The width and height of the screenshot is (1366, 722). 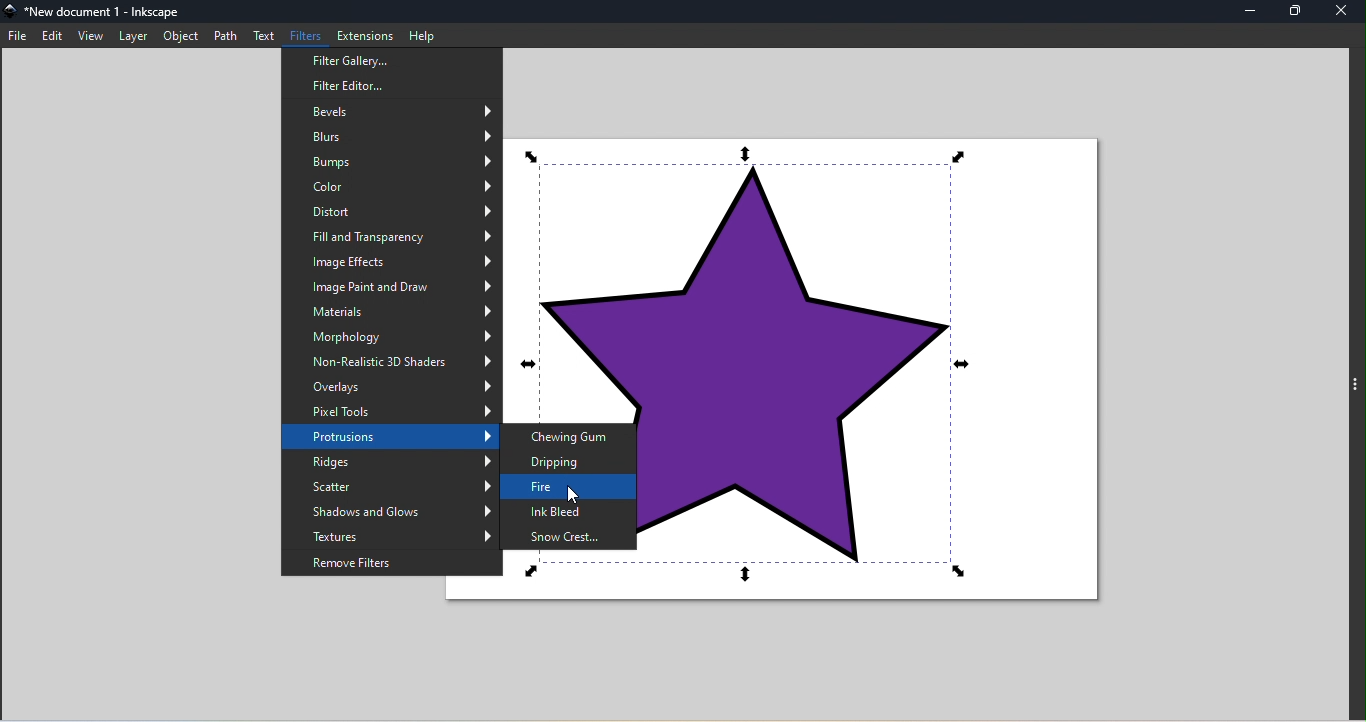 I want to click on Color, so click(x=393, y=187).